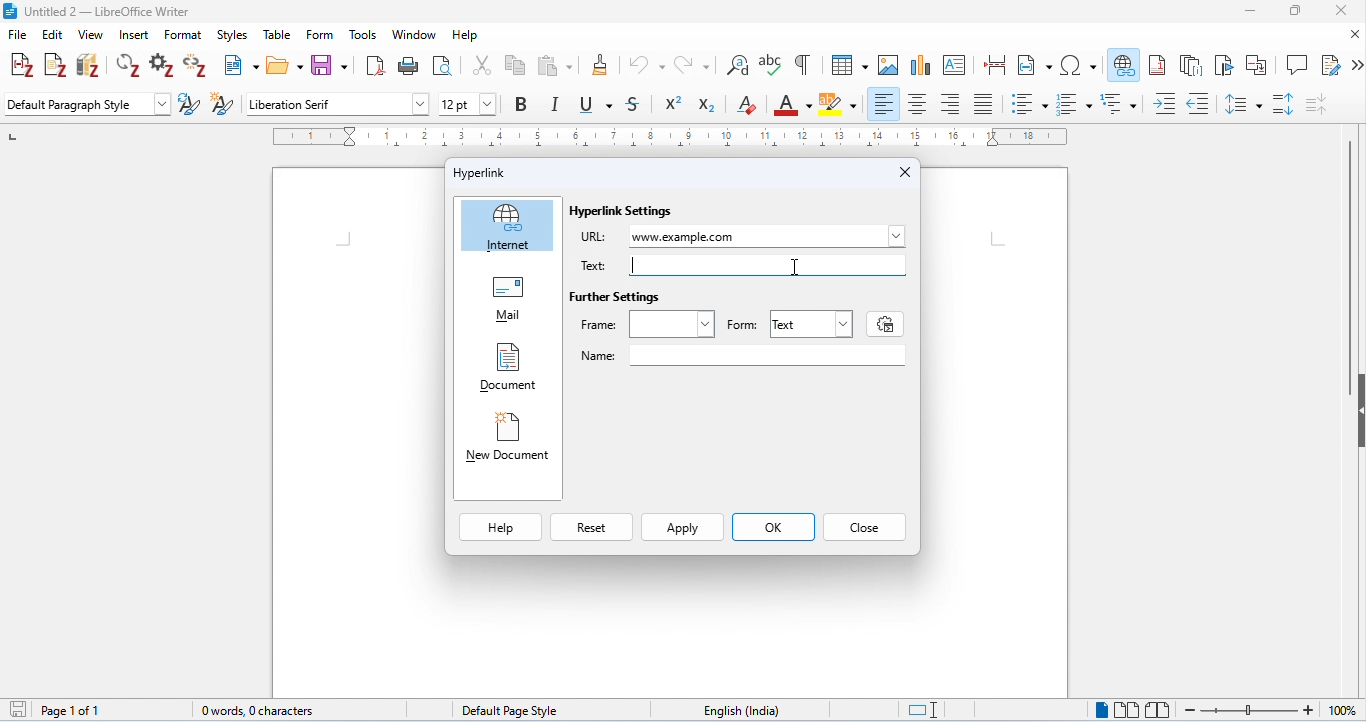 The image size is (1366, 722). Describe the element at coordinates (472, 105) in the screenshot. I see `font size` at that location.